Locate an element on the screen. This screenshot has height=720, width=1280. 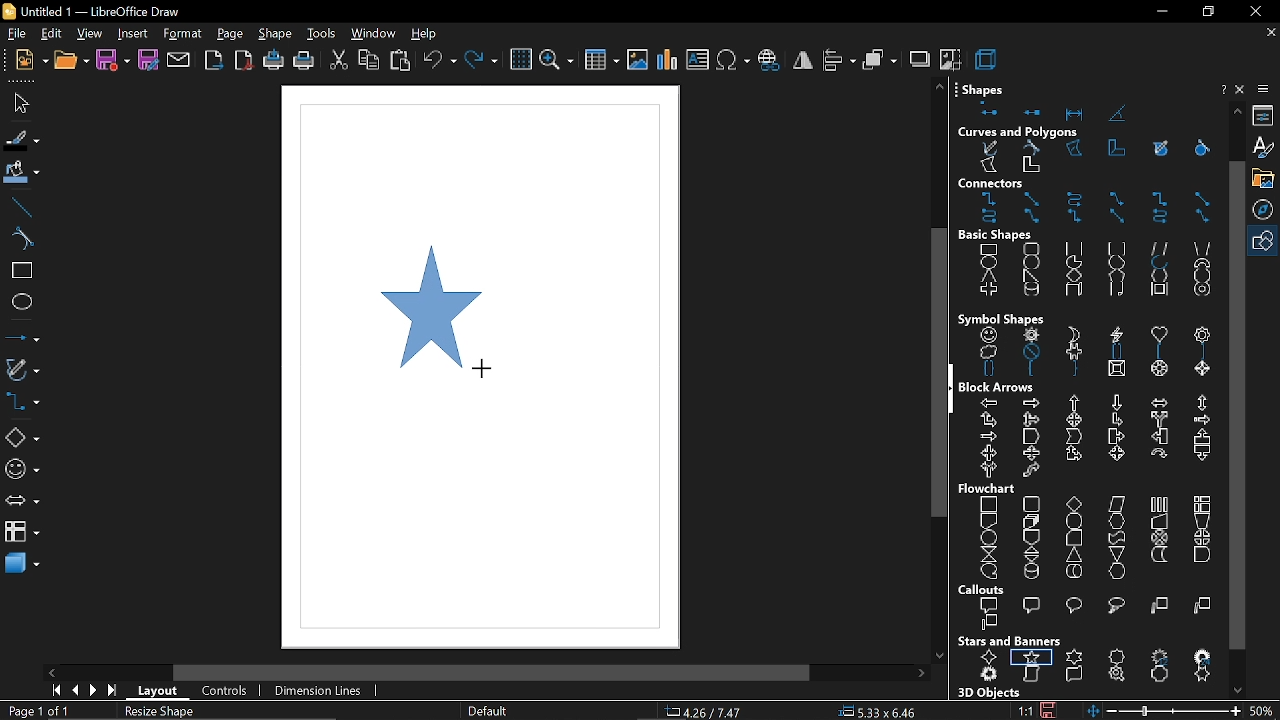
save is located at coordinates (113, 61).